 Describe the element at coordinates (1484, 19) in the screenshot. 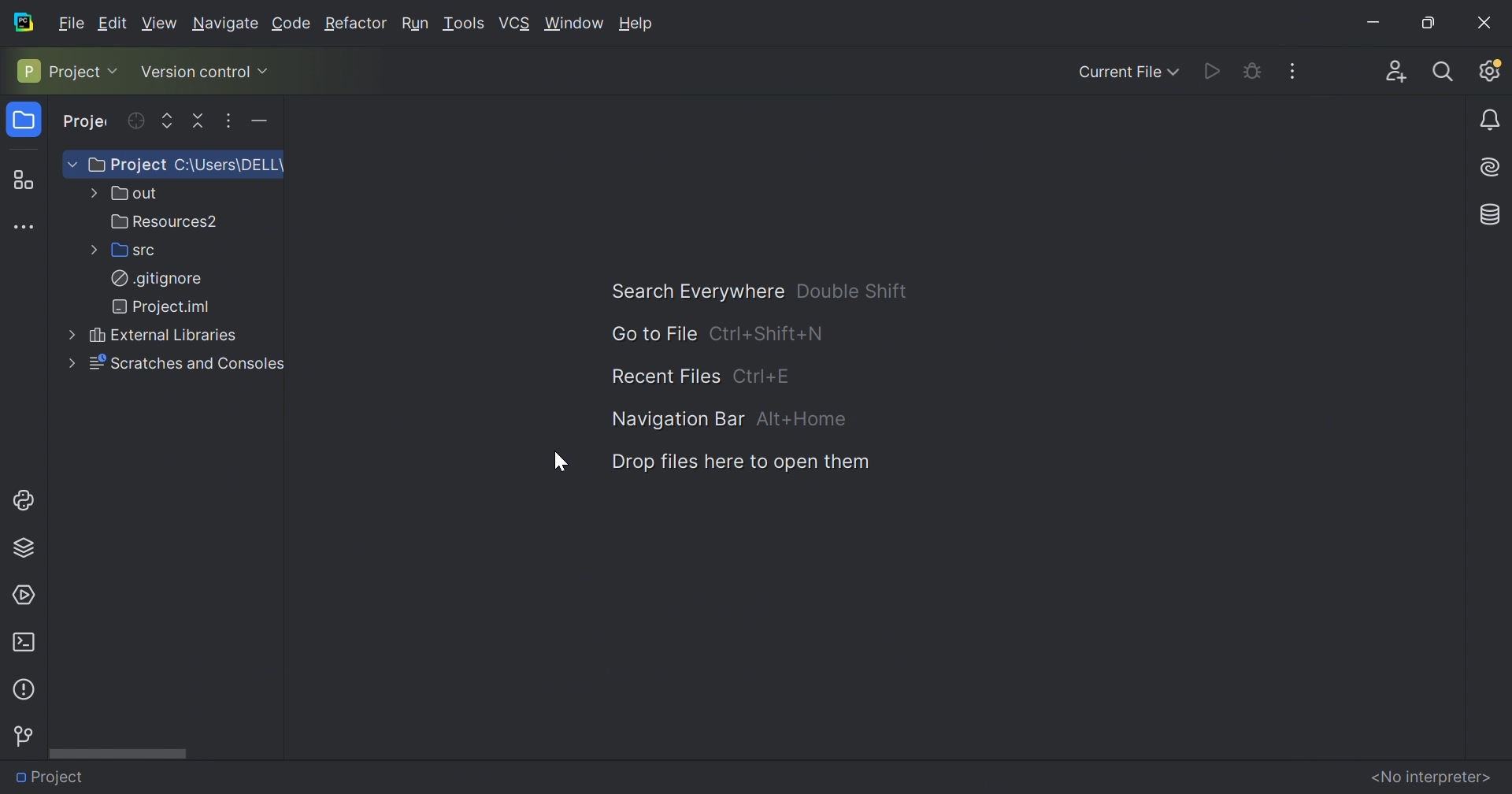

I see `Close` at that location.